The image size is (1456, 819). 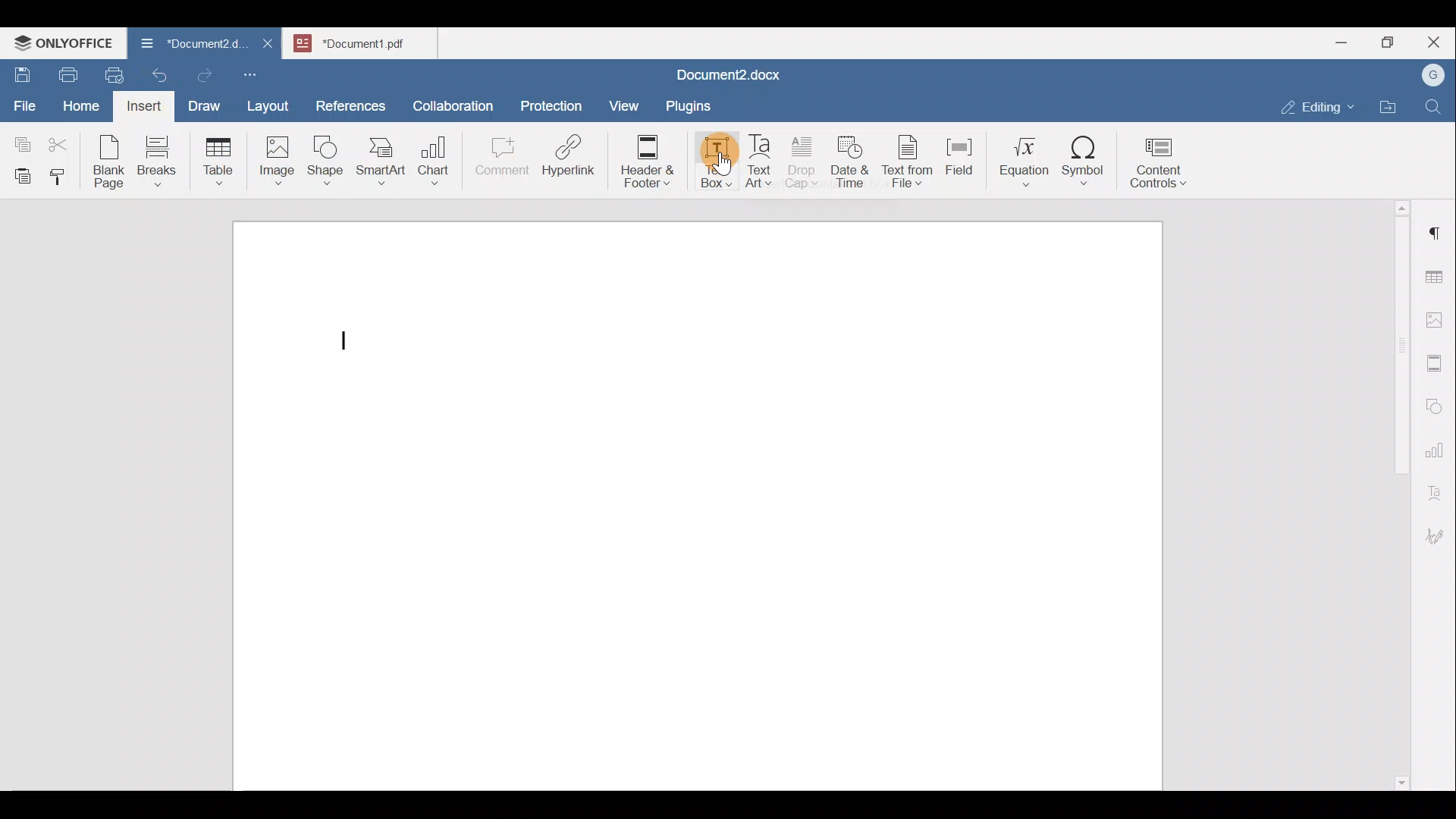 I want to click on Paragraph settings, so click(x=1436, y=227).